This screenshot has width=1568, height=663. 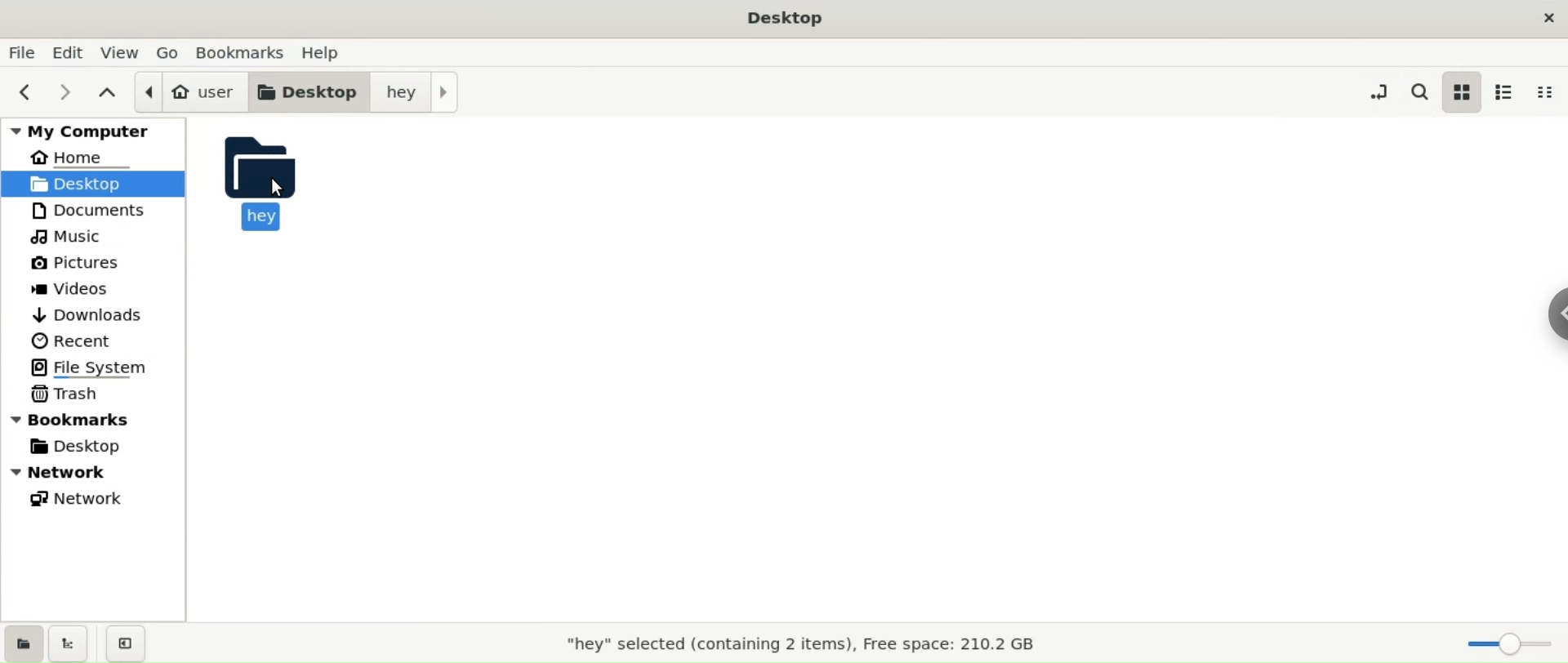 What do you see at coordinates (1545, 16) in the screenshot?
I see `close` at bounding box center [1545, 16].